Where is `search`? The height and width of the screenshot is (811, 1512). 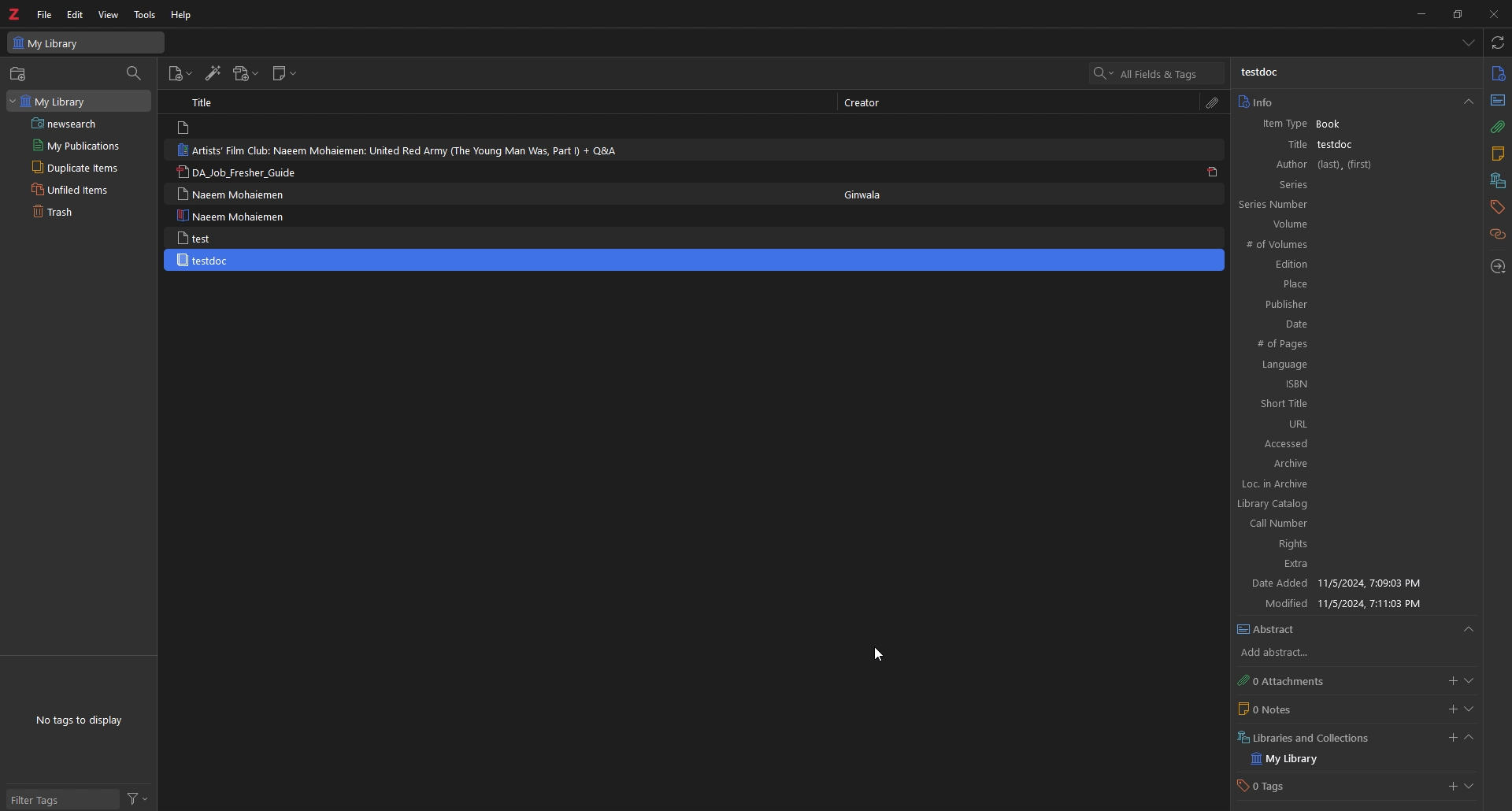
search is located at coordinates (1158, 73).